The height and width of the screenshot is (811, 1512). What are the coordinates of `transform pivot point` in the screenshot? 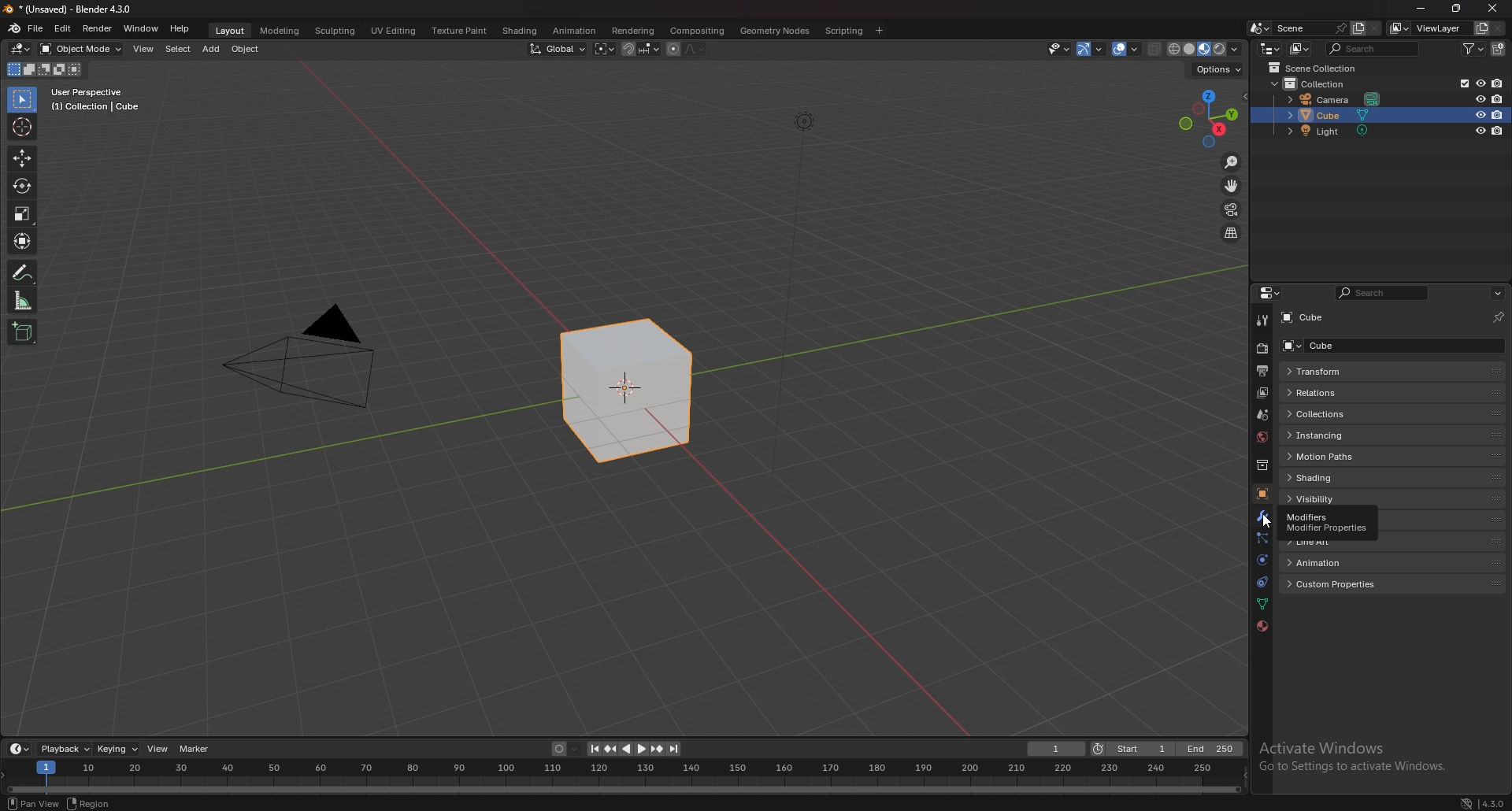 It's located at (603, 48).